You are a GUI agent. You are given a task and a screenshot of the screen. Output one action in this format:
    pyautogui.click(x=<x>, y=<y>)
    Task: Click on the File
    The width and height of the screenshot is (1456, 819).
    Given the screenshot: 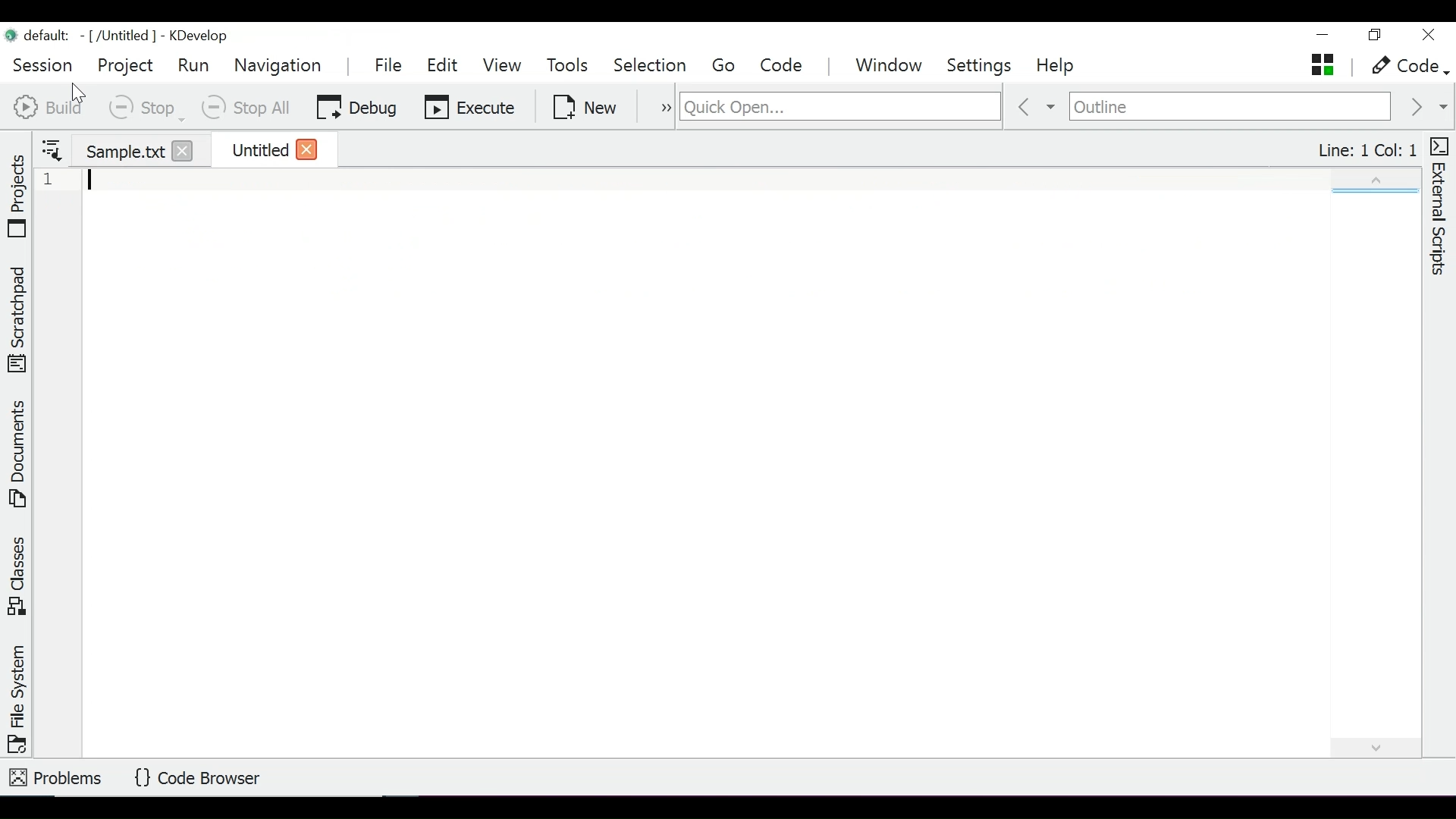 What is the action you would take?
    pyautogui.click(x=391, y=66)
    